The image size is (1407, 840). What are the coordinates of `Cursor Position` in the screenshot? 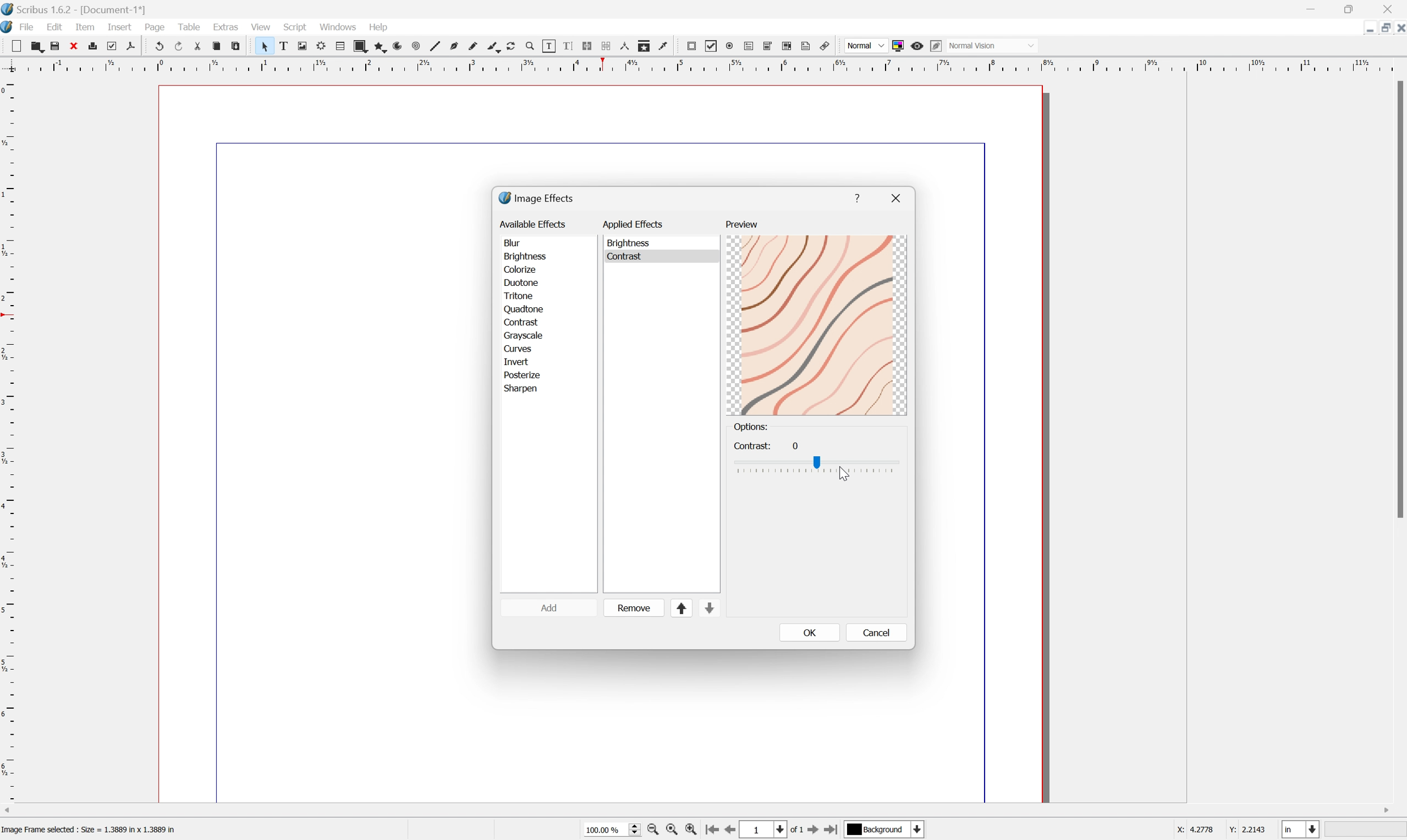 It's located at (844, 474).